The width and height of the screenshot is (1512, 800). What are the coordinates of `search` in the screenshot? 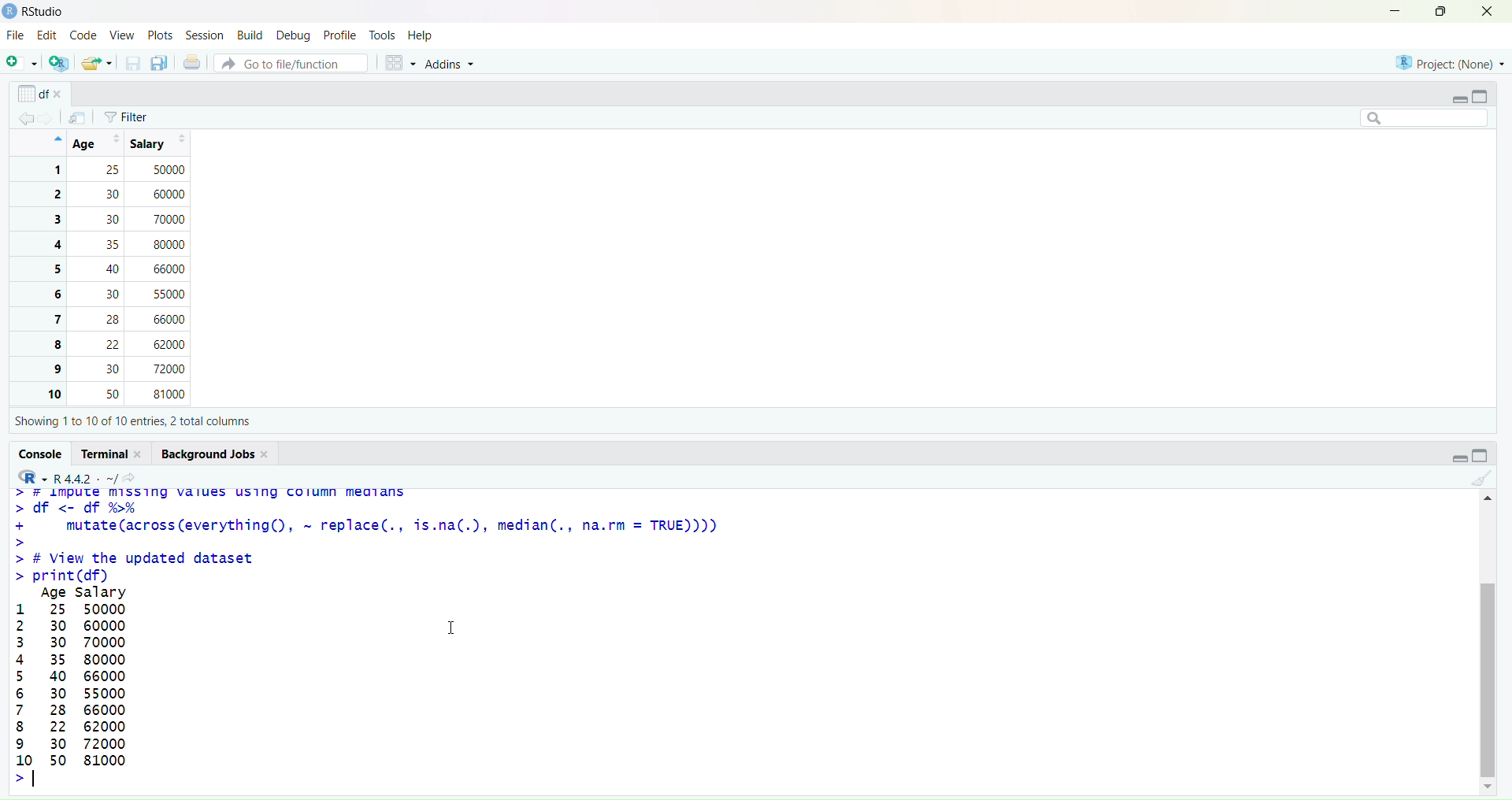 It's located at (1416, 117).